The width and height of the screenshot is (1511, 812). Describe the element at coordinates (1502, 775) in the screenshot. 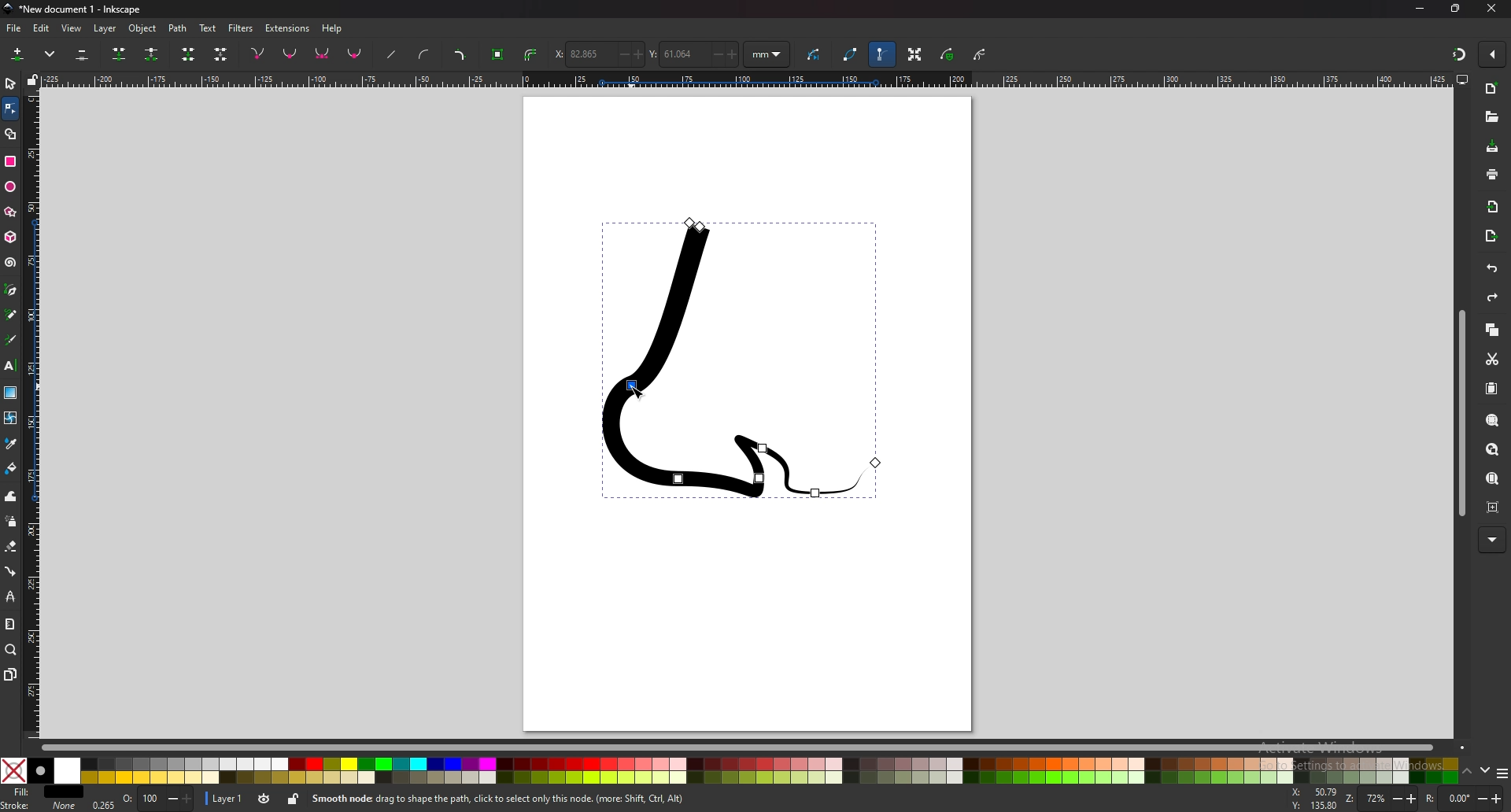

I see `options` at that location.